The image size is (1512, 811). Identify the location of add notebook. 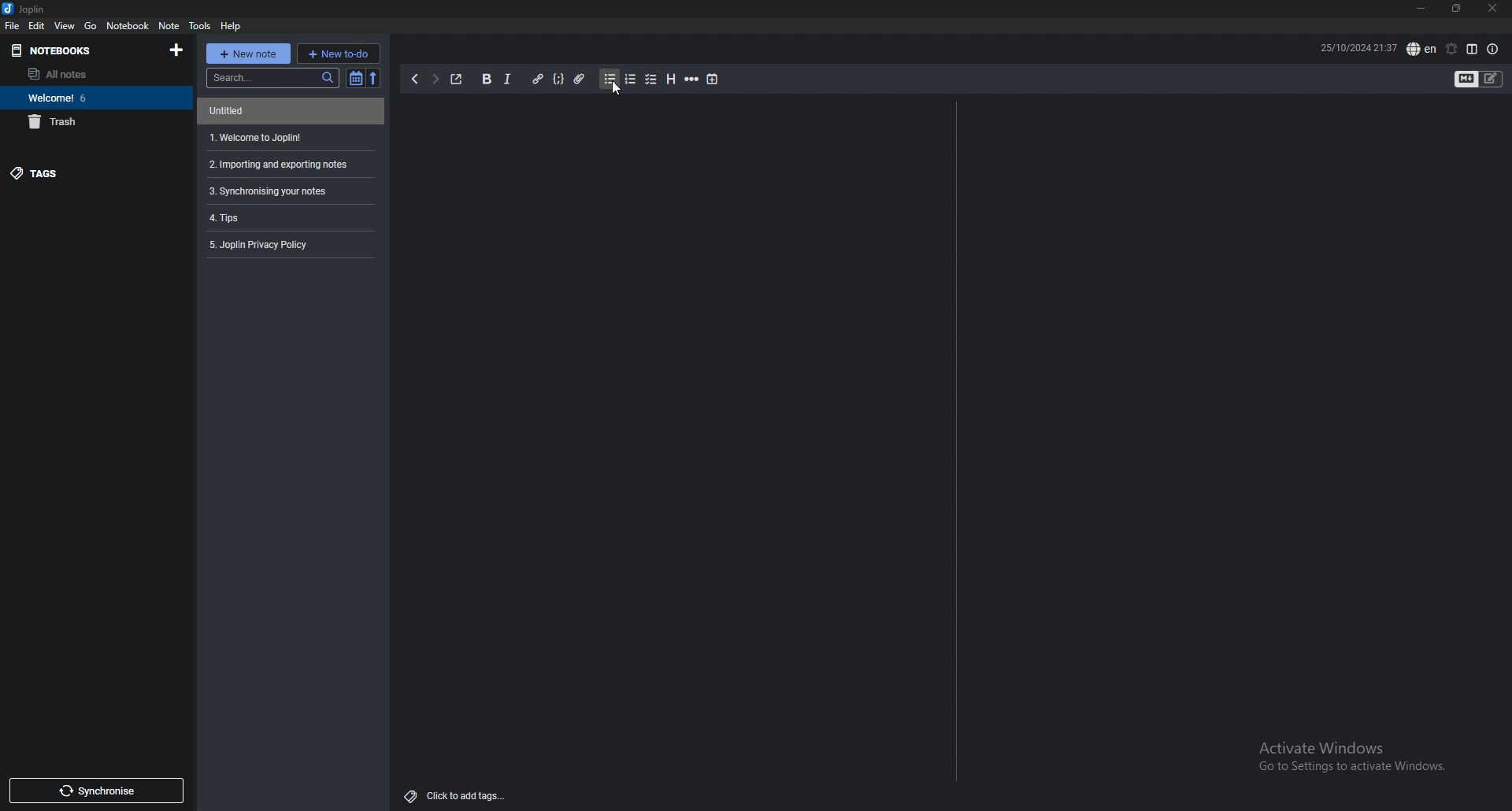
(175, 50).